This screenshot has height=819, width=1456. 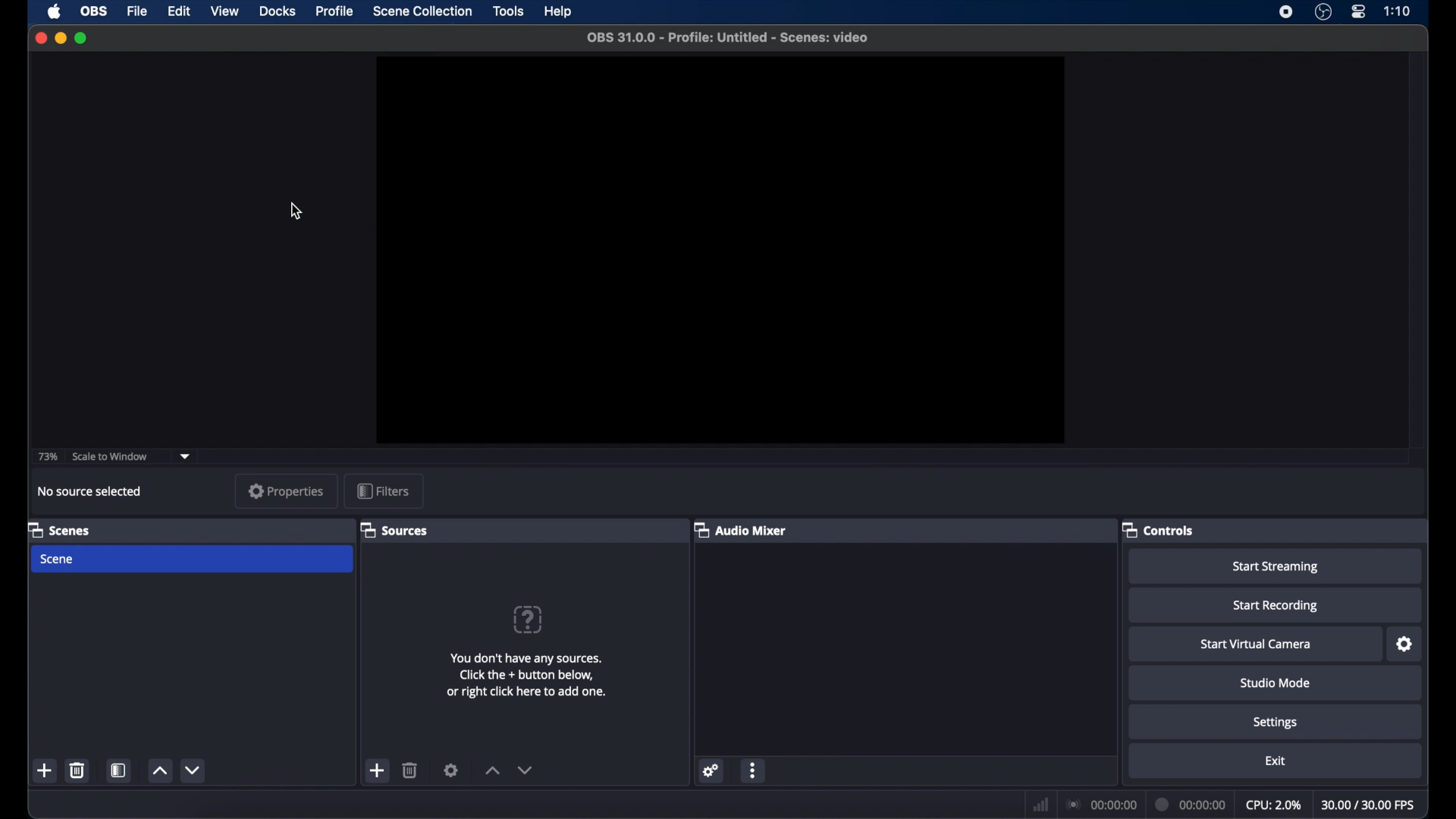 I want to click on delete, so click(x=78, y=770).